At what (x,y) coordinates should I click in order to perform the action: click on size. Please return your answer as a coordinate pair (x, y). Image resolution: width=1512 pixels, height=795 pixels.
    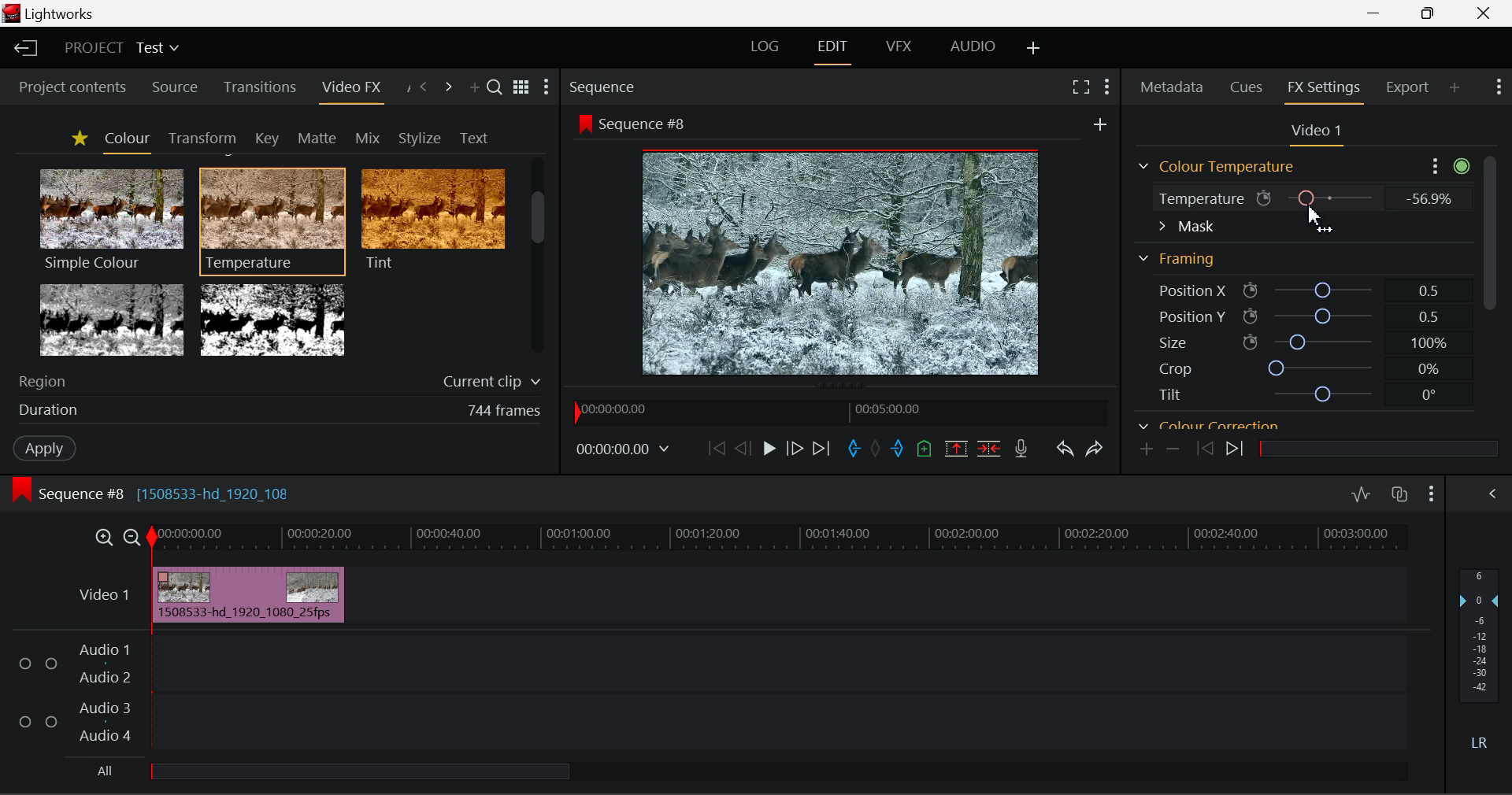
    Looking at the image, I should click on (1322, 340).